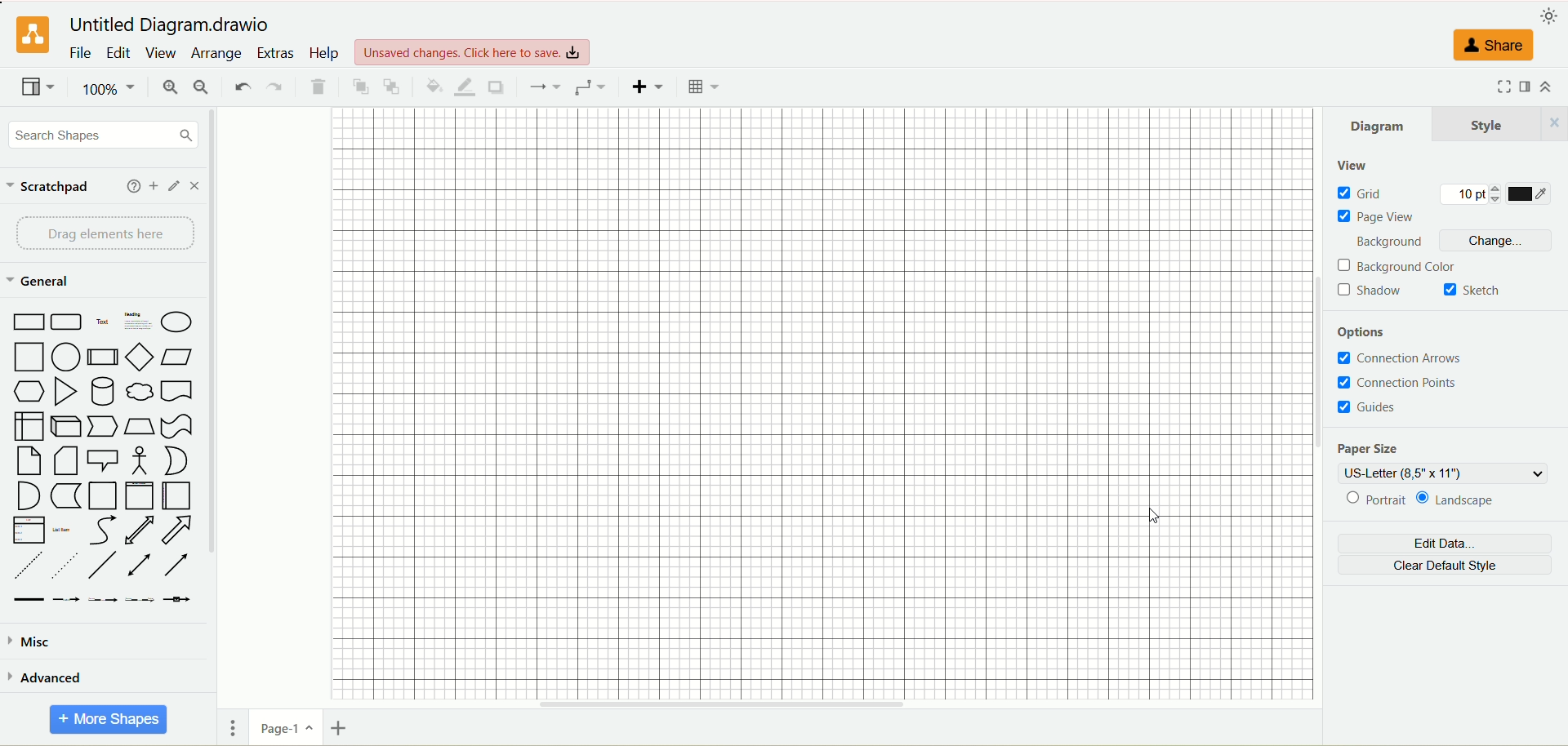 The width and height of the screenshot is (1568, 746). What do you see at coordinates (194, 187) in the screenshot?
I see `close` at bounding box center [194, 187].